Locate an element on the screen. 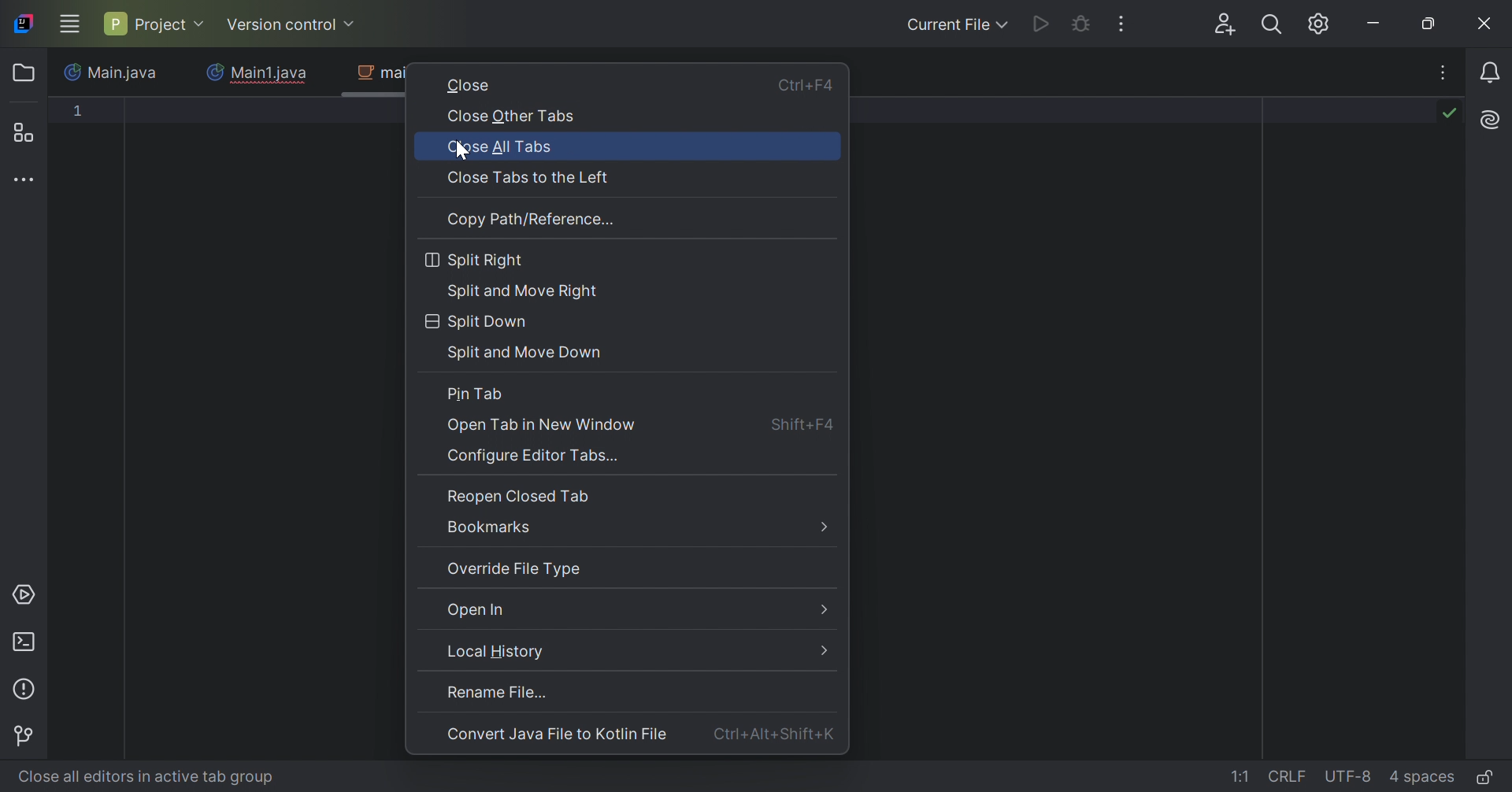 This screenshot has height=792, width=1512. Folder icon is located at coordinates (23, 72).